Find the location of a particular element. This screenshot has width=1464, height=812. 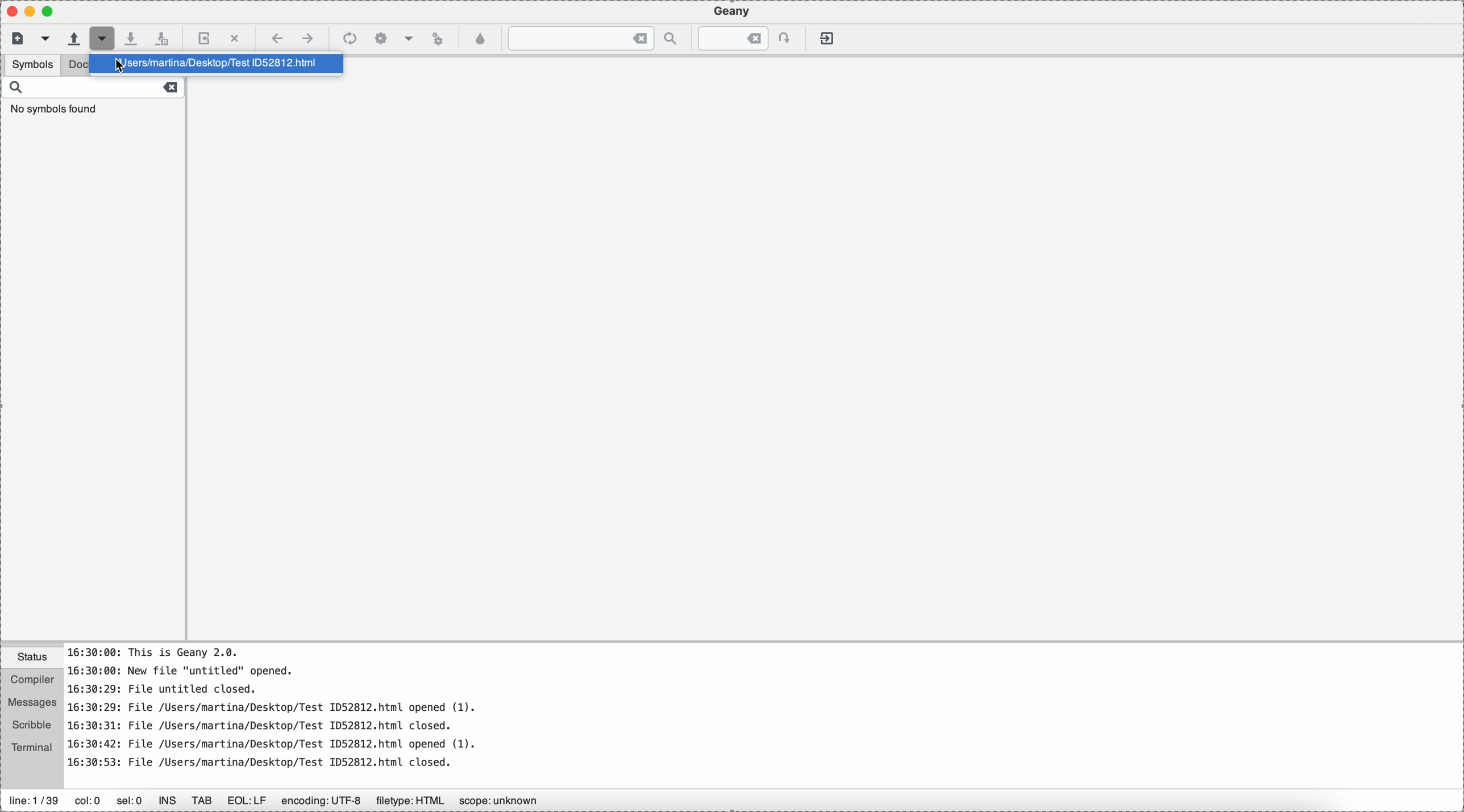

minimize is located at coordinates (53, 12).